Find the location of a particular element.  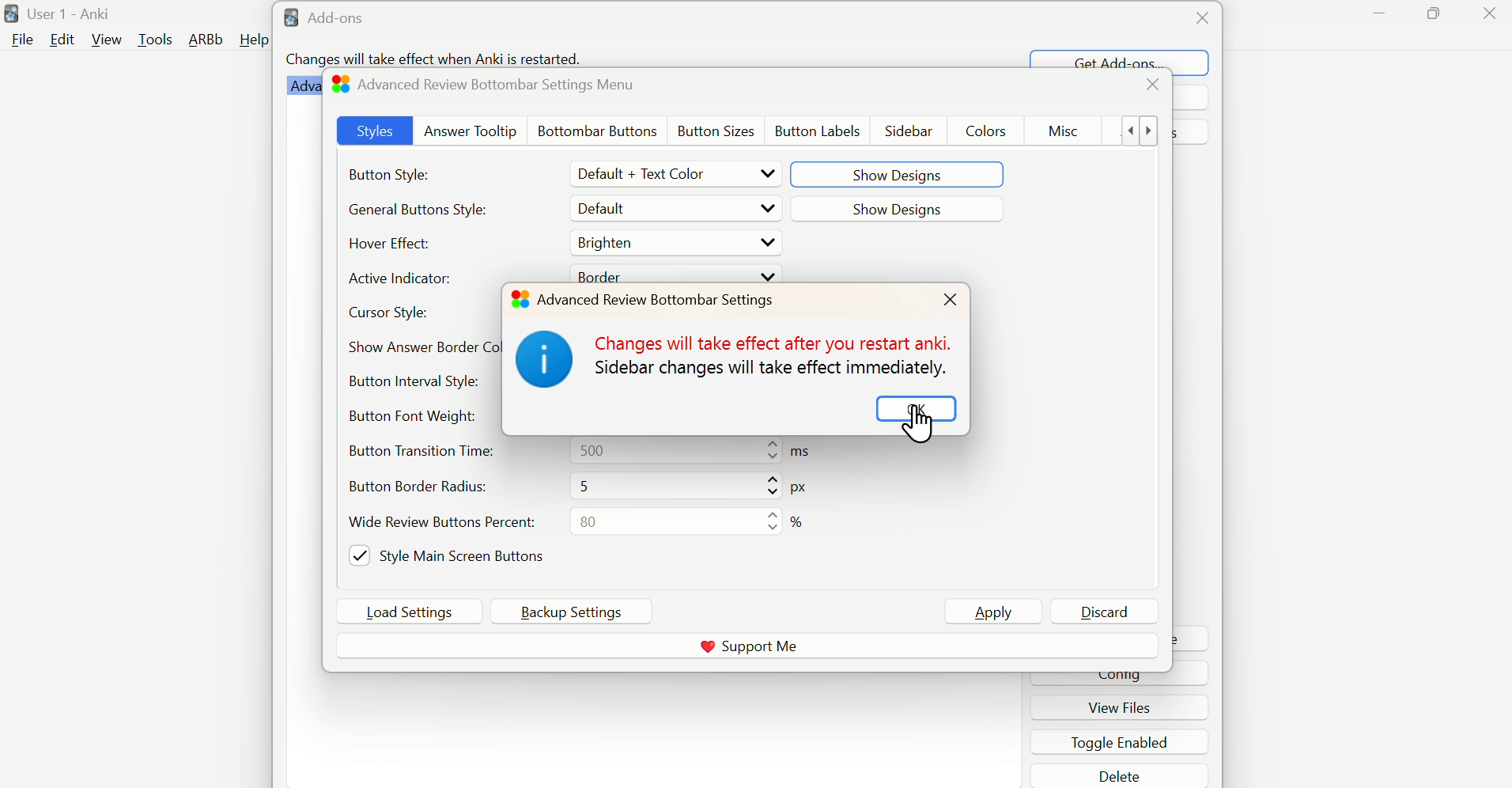

Advanced Review Bottombar Settings Menu is located at coordinates (484, 85).